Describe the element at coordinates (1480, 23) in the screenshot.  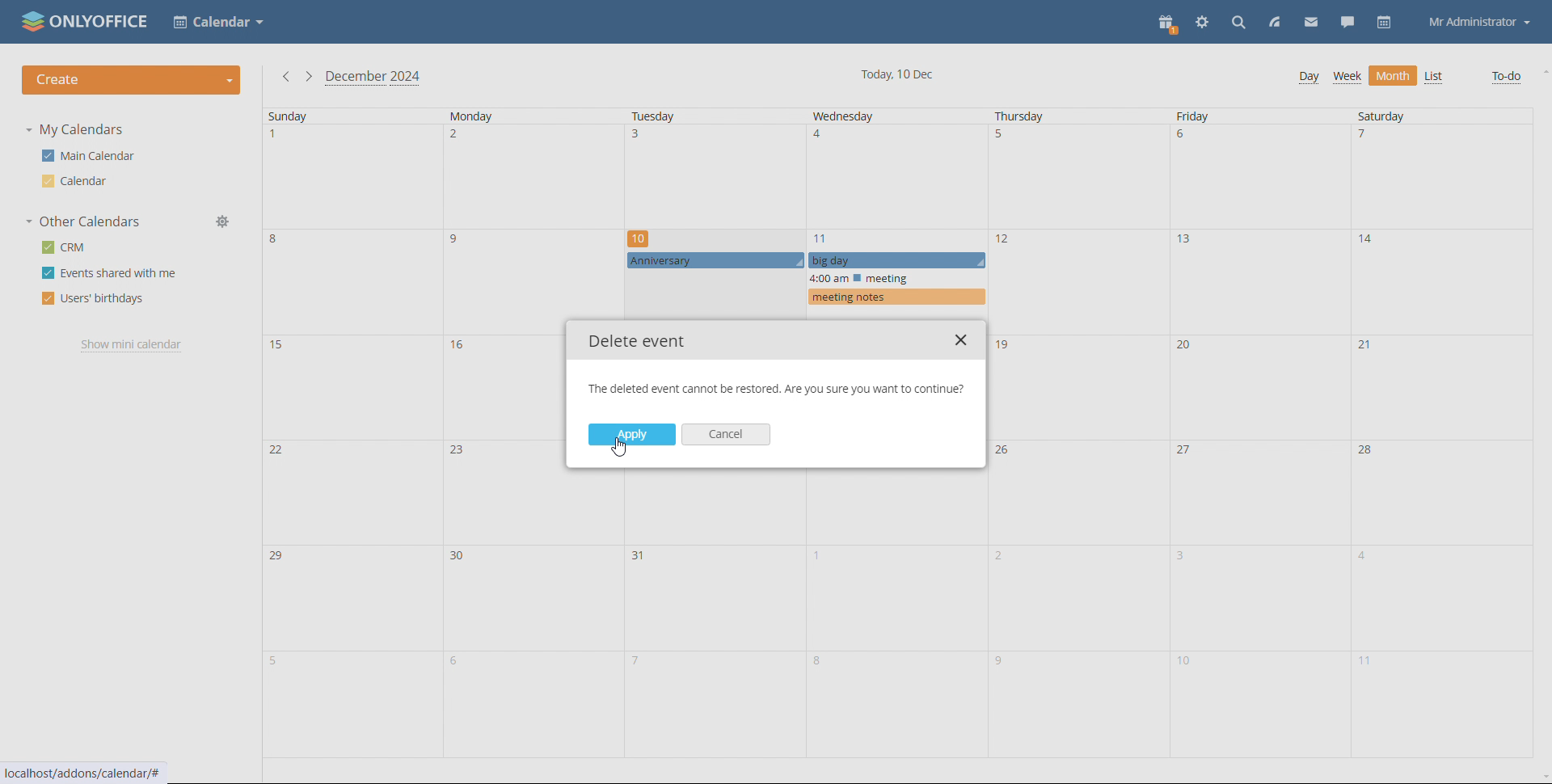
I see `profile` at that location.